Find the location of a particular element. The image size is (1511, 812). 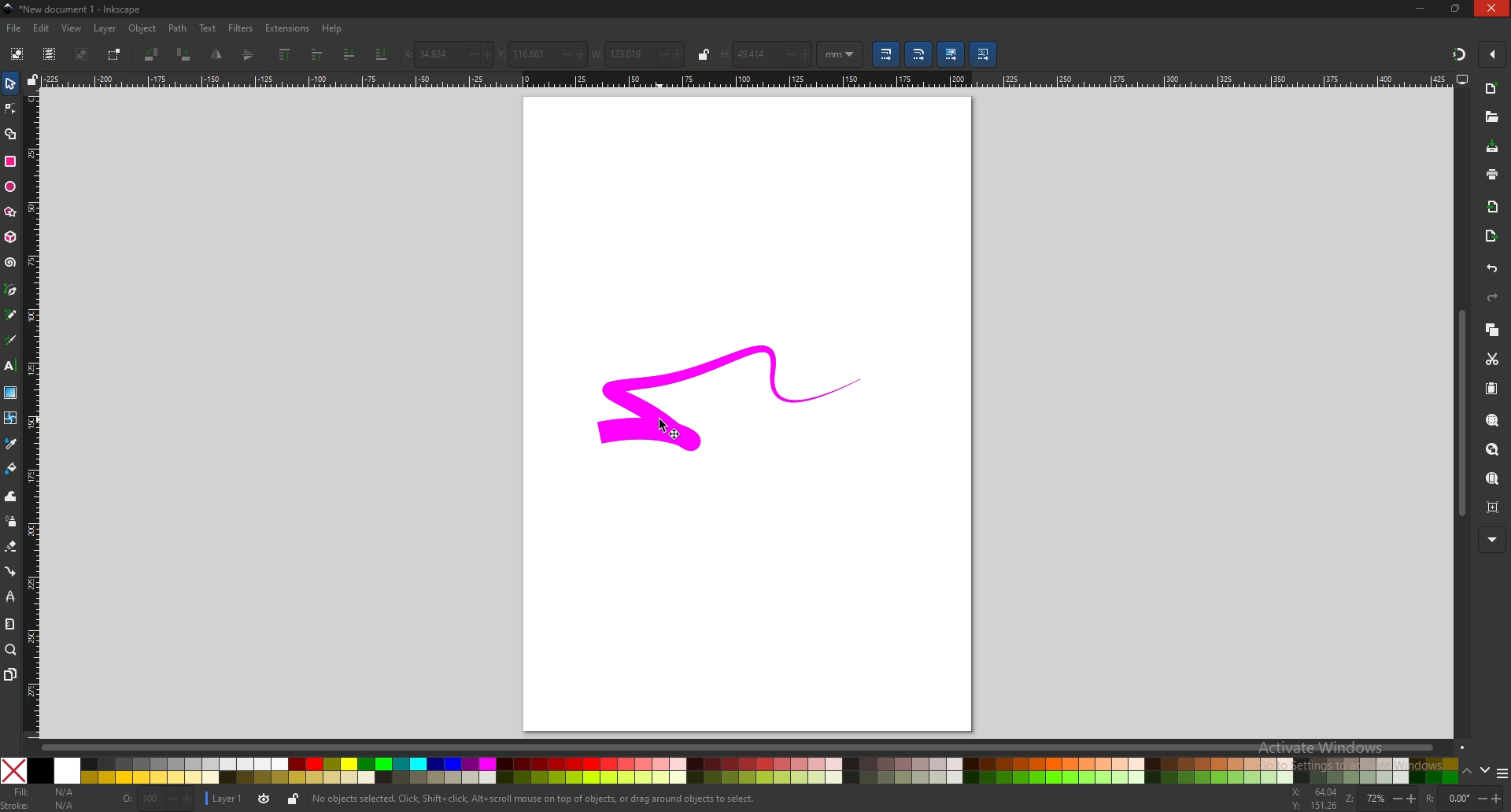

info is located at coordinates (526, 798).